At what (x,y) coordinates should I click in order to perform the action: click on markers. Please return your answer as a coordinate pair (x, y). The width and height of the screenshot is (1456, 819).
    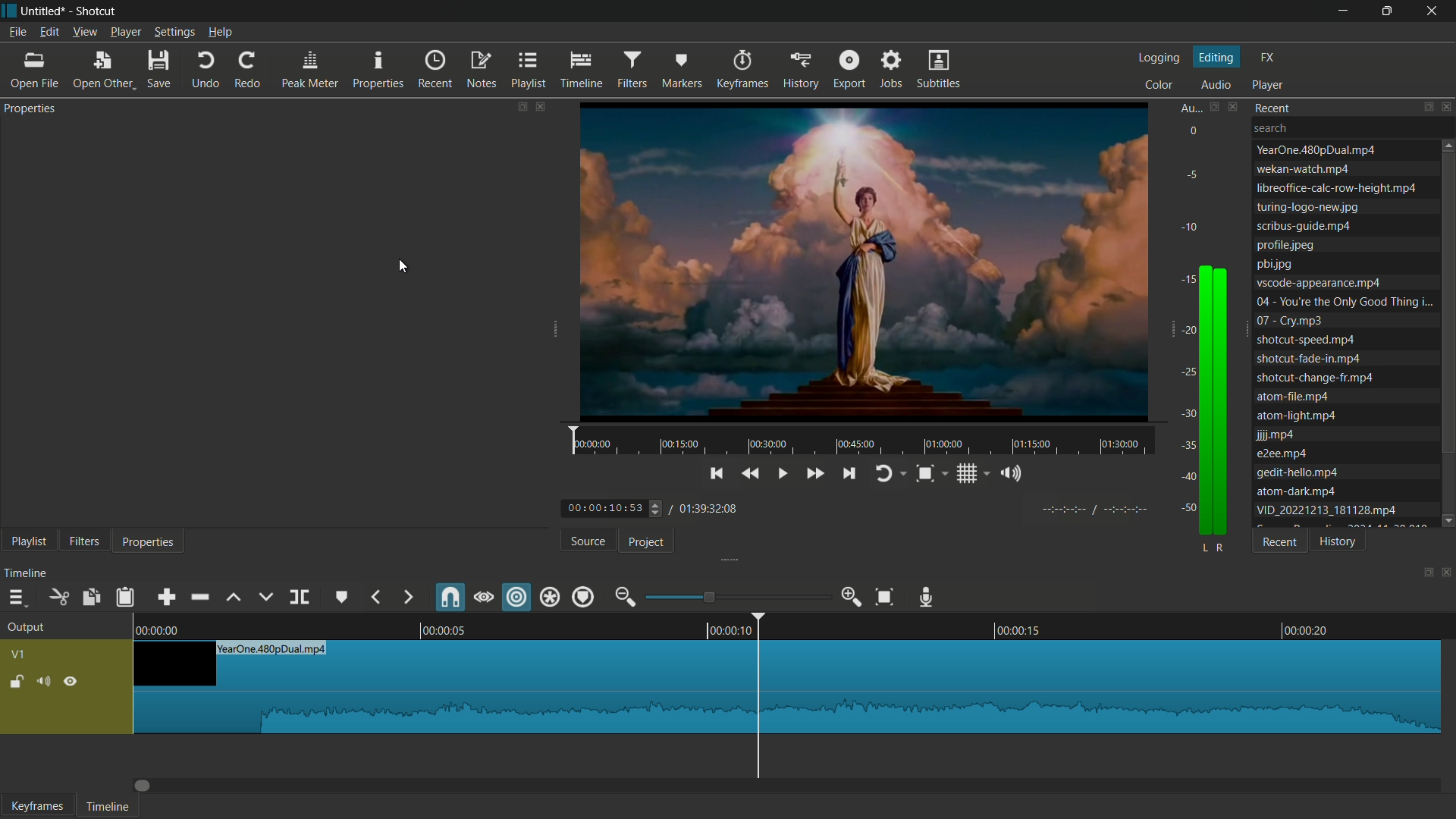
    Looking at the image, I should click on (679, 70).